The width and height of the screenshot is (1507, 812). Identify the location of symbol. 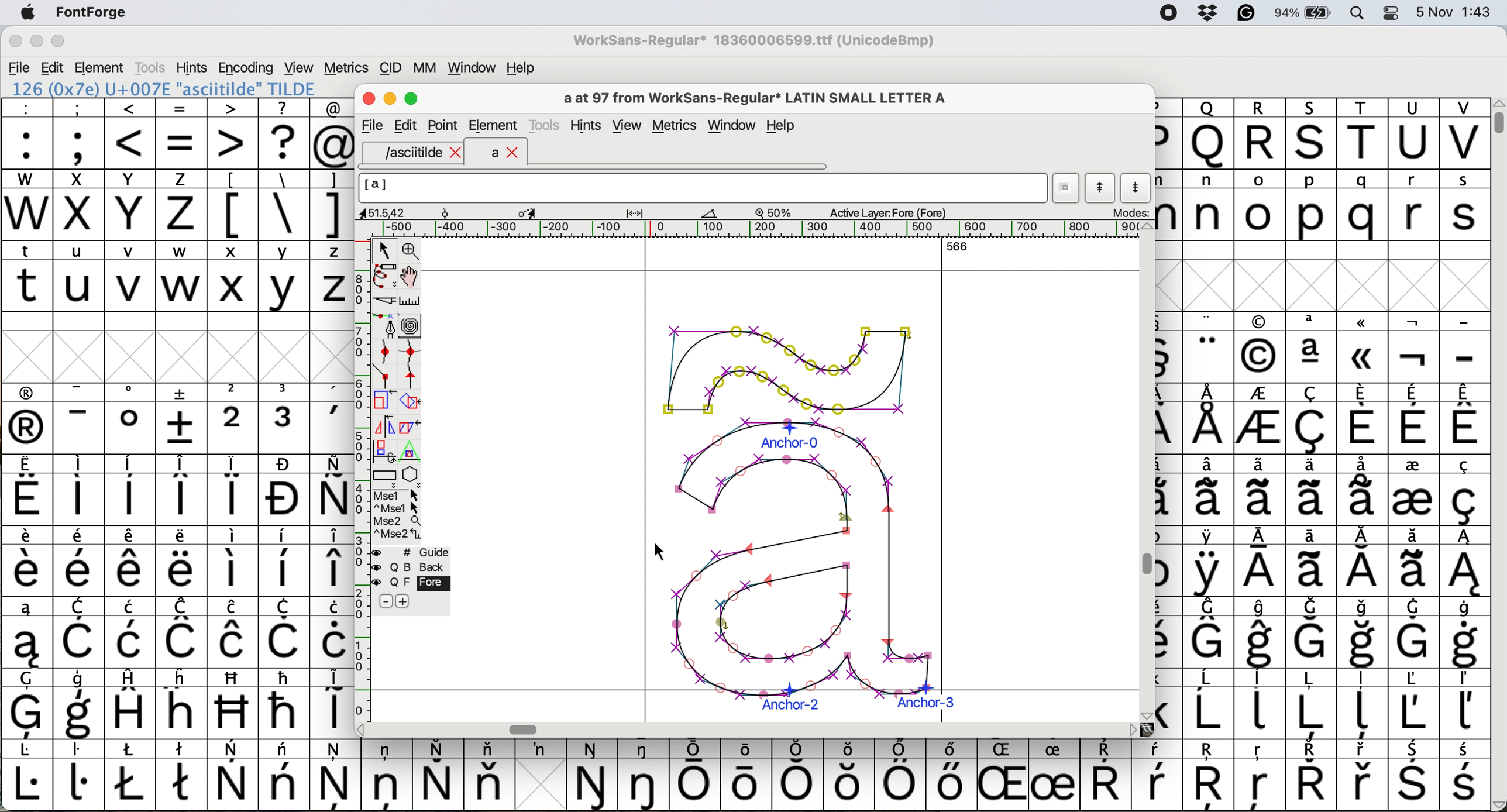
(25, 633).